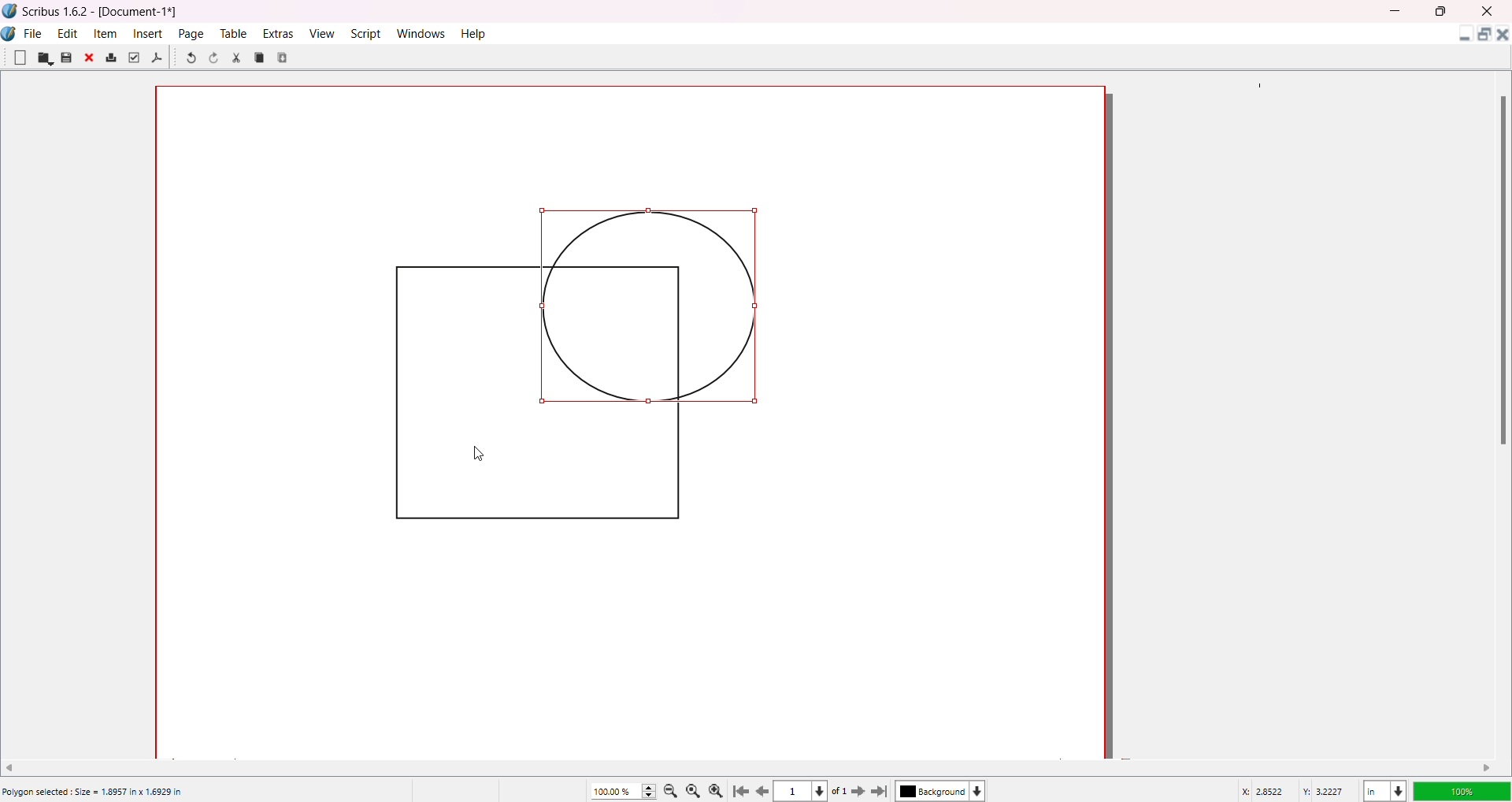 The width and height of the screenshot is (1512, 802). I want to click on Extras, so click(279, 33).